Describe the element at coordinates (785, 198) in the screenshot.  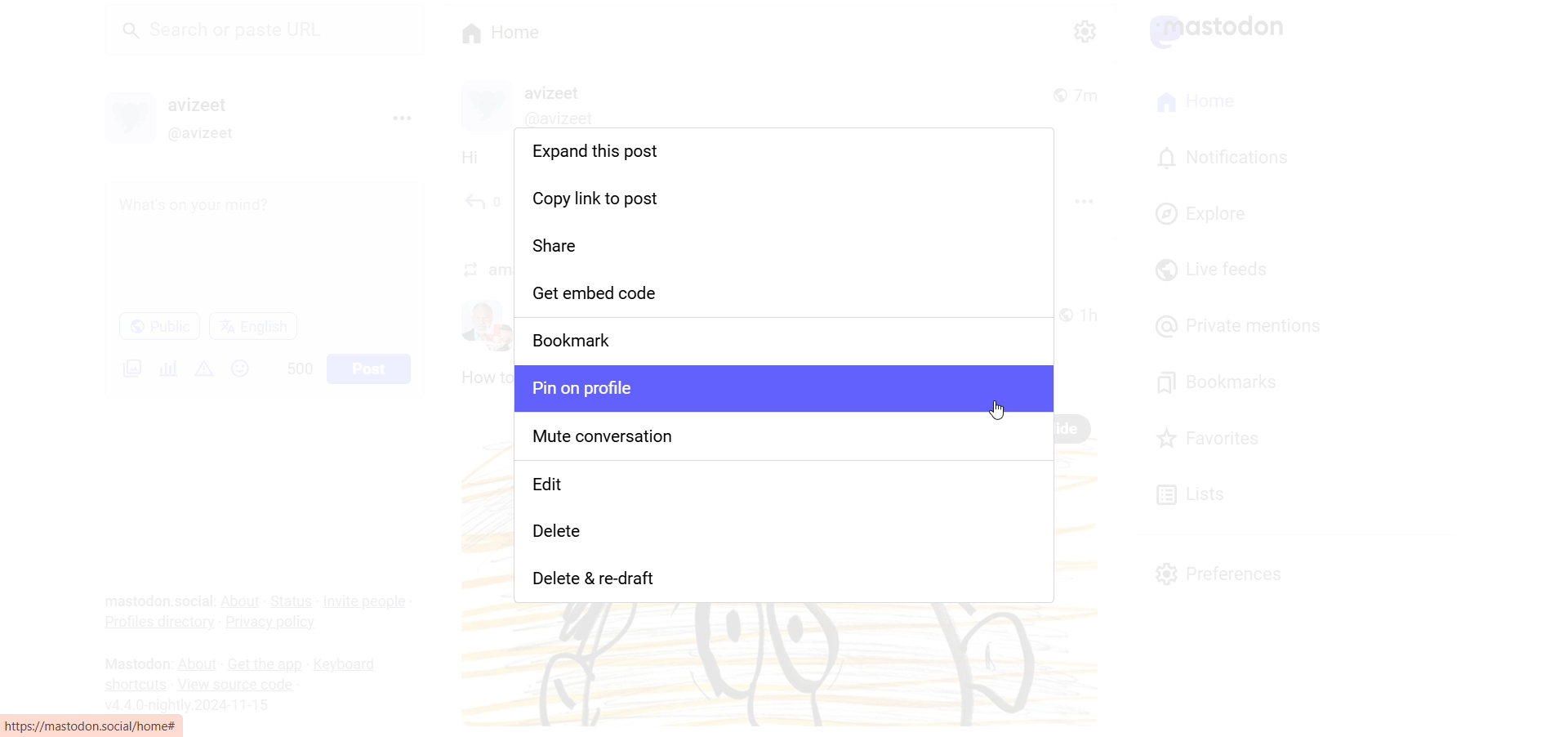
I see `Copy Link to Post` at that location.